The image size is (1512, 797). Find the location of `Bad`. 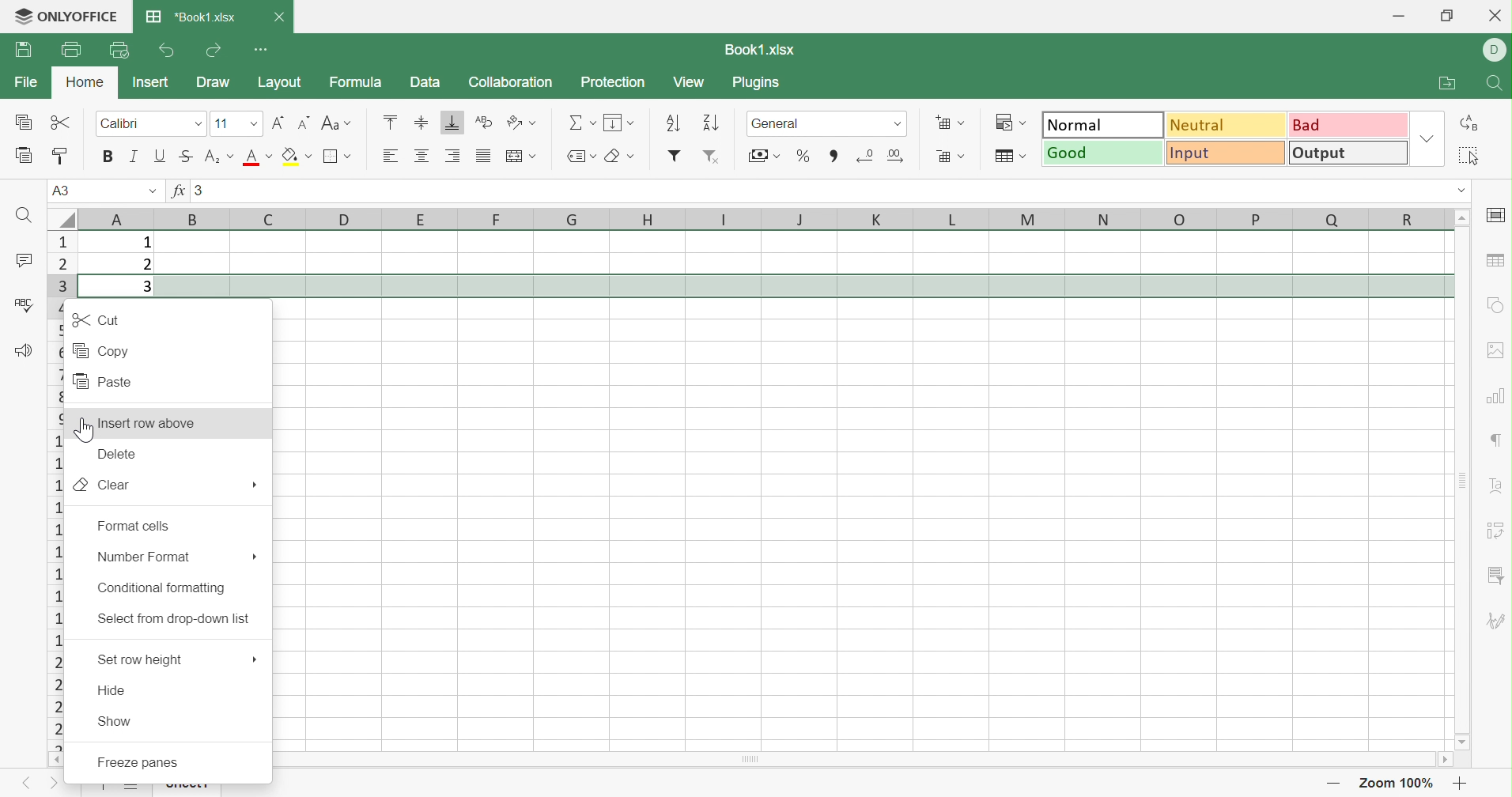

Bad is located at coordinates (1346, 126).